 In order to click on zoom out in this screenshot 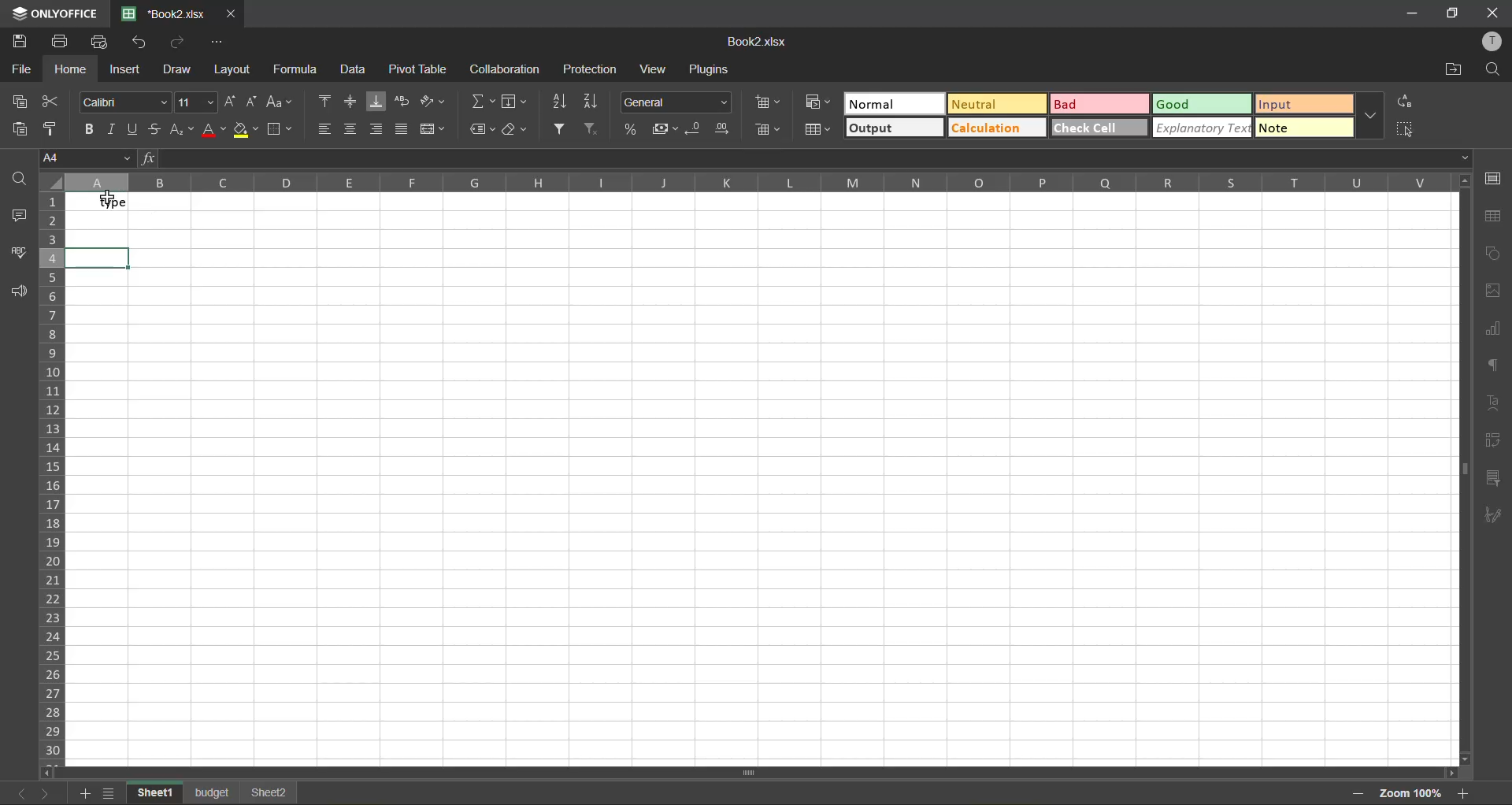, I will do `click(1360, 792)`.